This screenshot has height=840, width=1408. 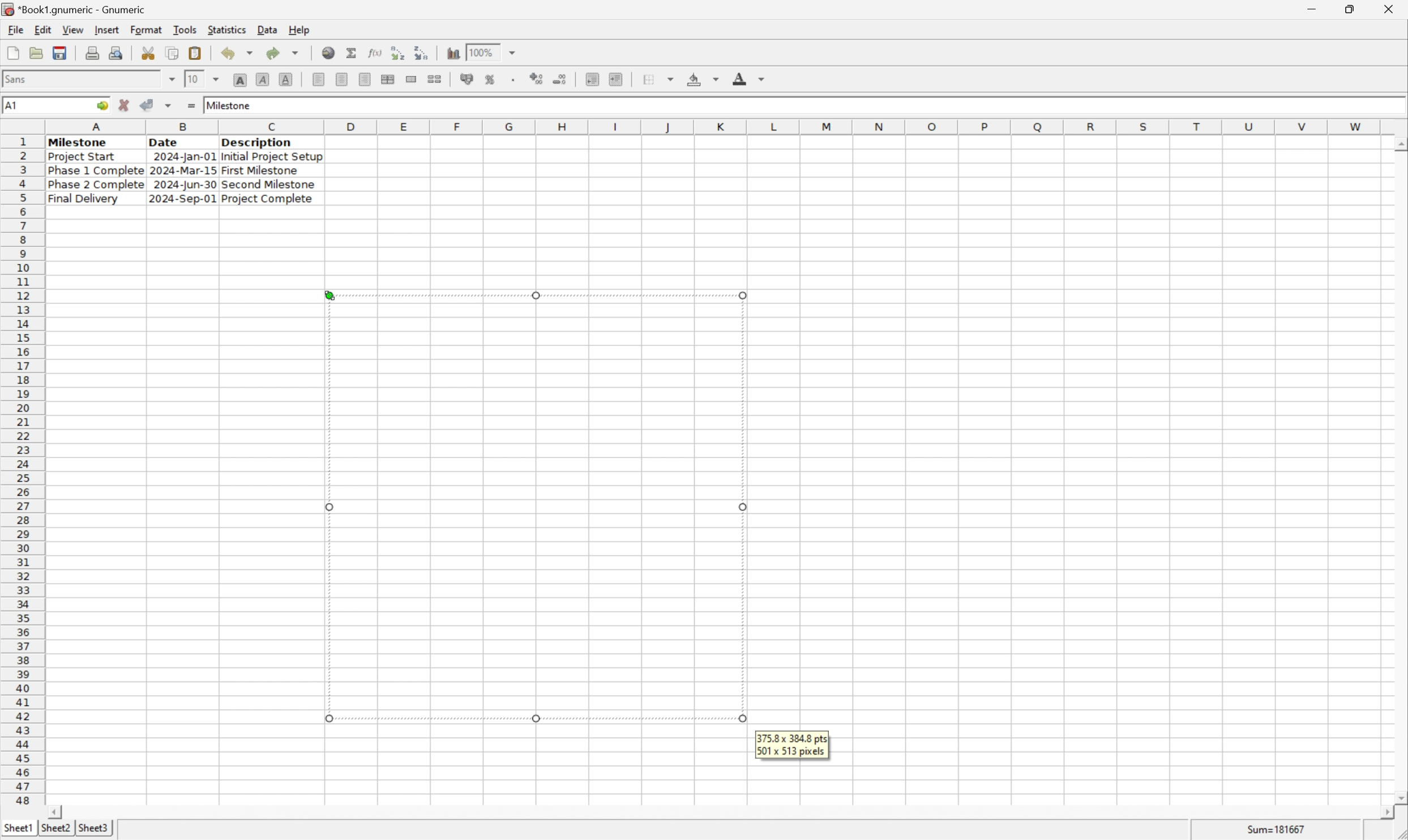 I want to click on Cursor, so click(x=329, y=292).